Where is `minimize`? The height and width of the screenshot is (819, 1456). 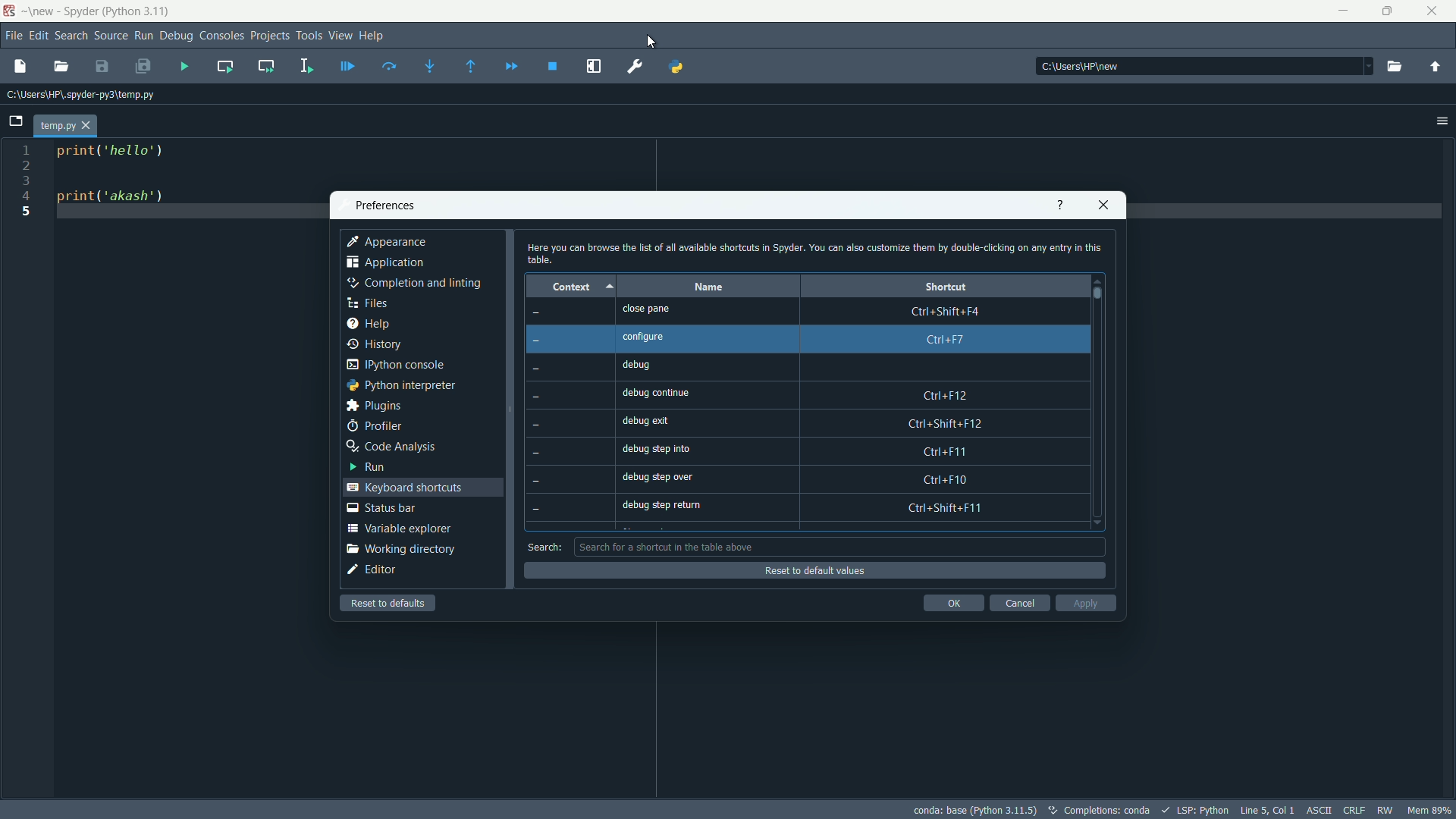
minimize is located at coordinates (1341, 11).